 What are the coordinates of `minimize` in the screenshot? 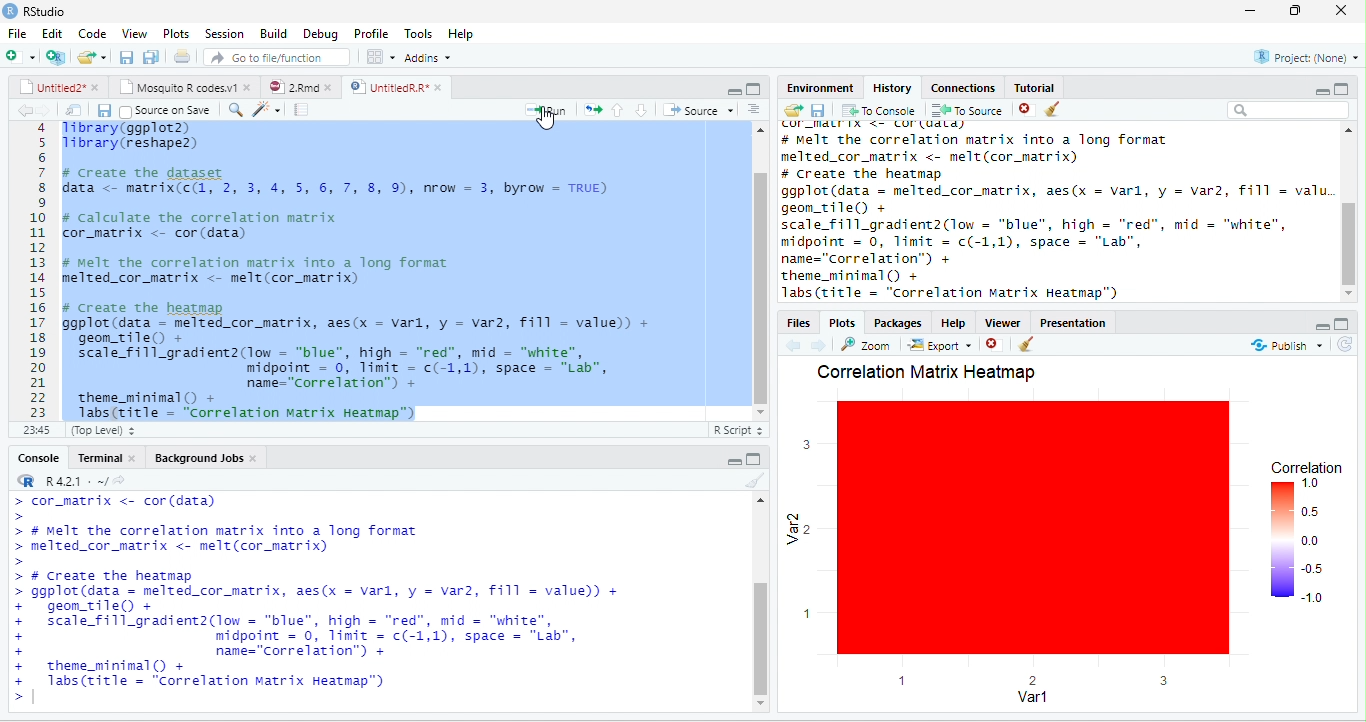 It's located at (1248, 11).